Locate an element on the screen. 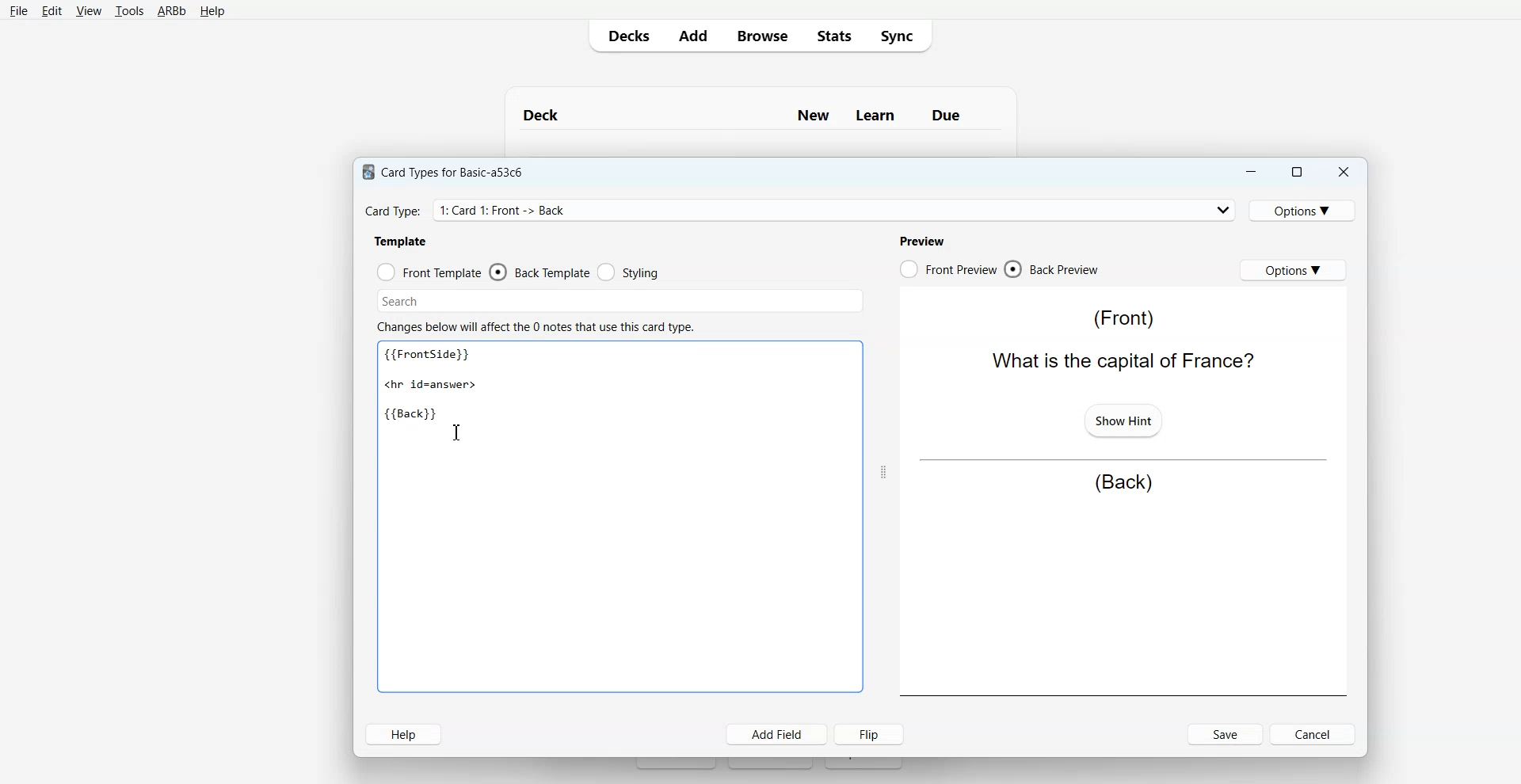 This screenshot has width=1521, height=784. (Back) is located at coordinates (1123, 483).